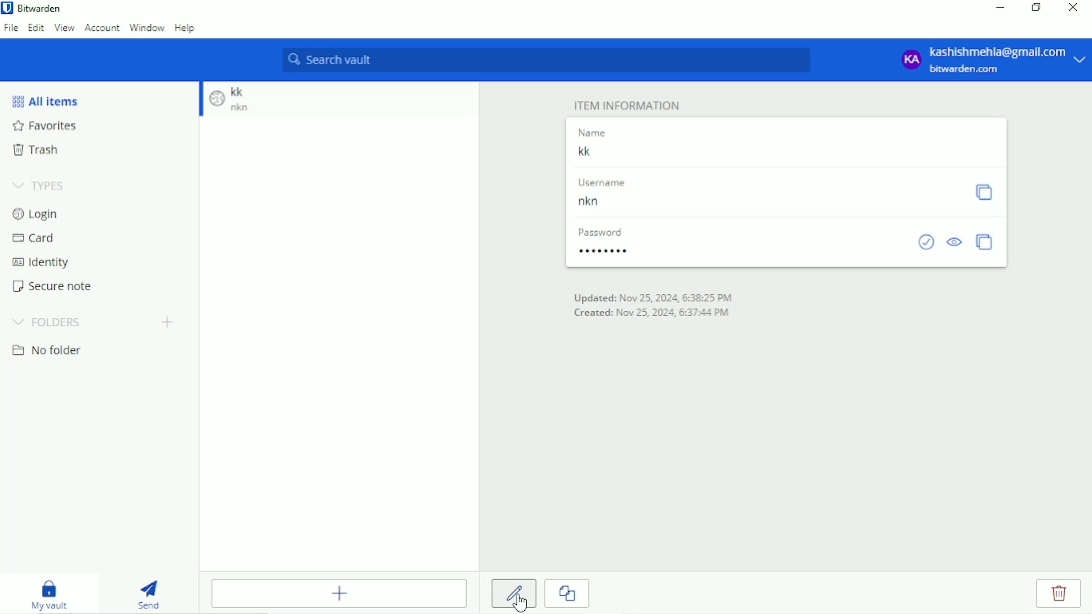 The image size is (1092, 614). Describe the element at coordinates (64, 28) in the screenshot. I see `View` at that location.